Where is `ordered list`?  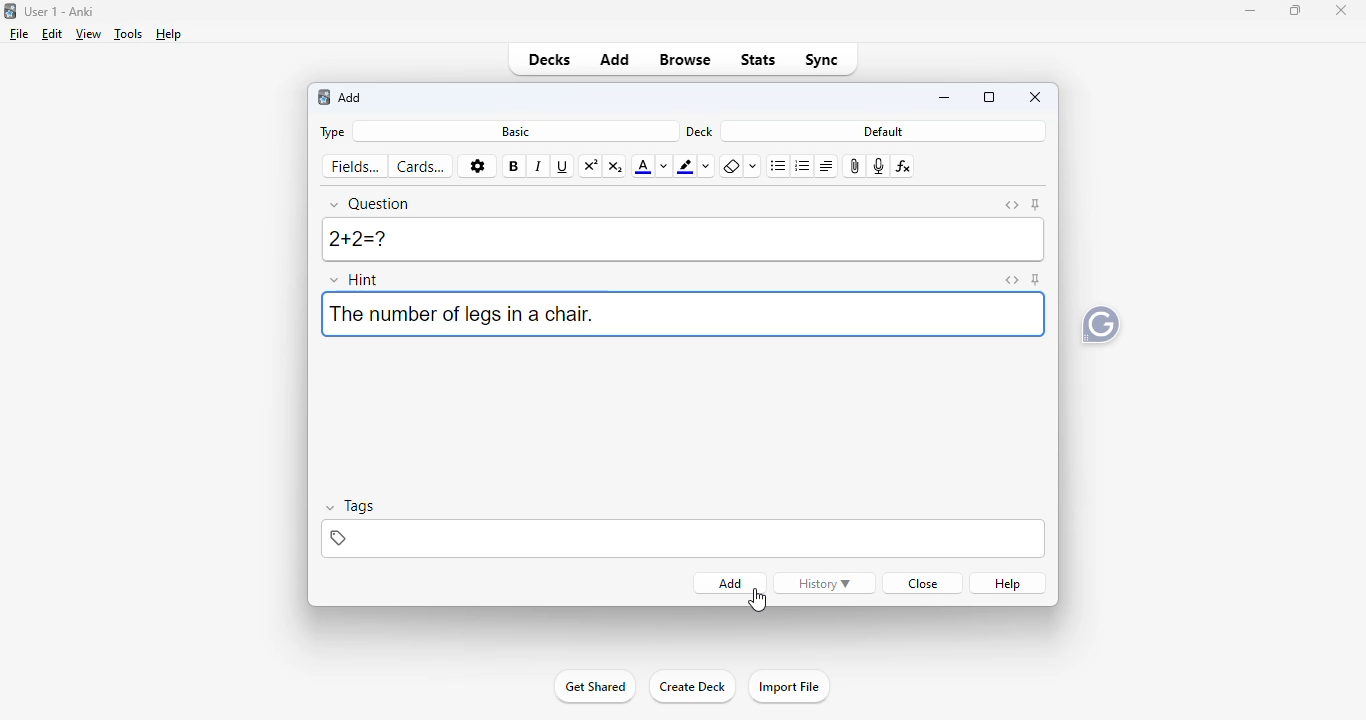
ordered list is located at coordinates (803, 166).